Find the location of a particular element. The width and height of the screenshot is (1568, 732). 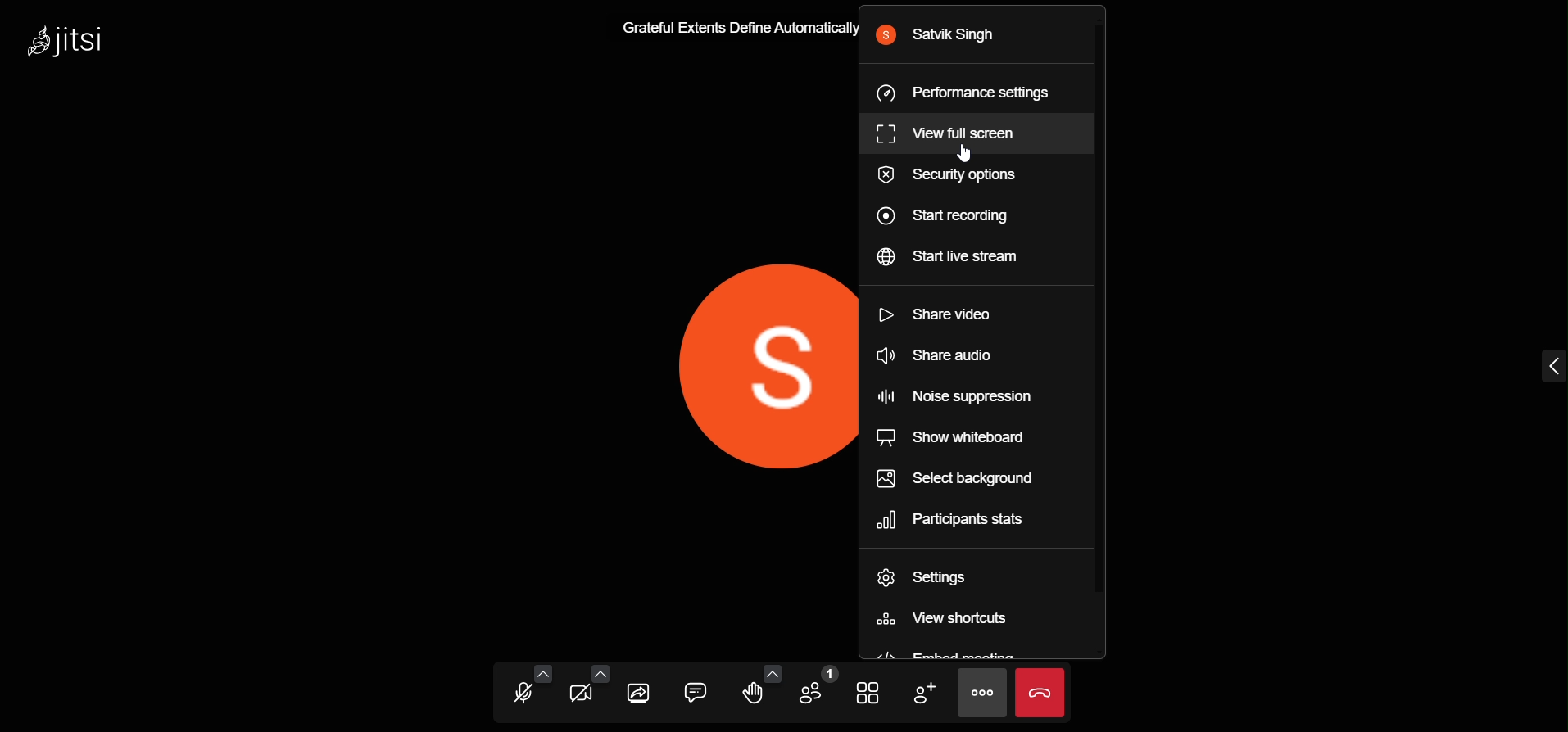

video setting is located at coordinates (600, 673).